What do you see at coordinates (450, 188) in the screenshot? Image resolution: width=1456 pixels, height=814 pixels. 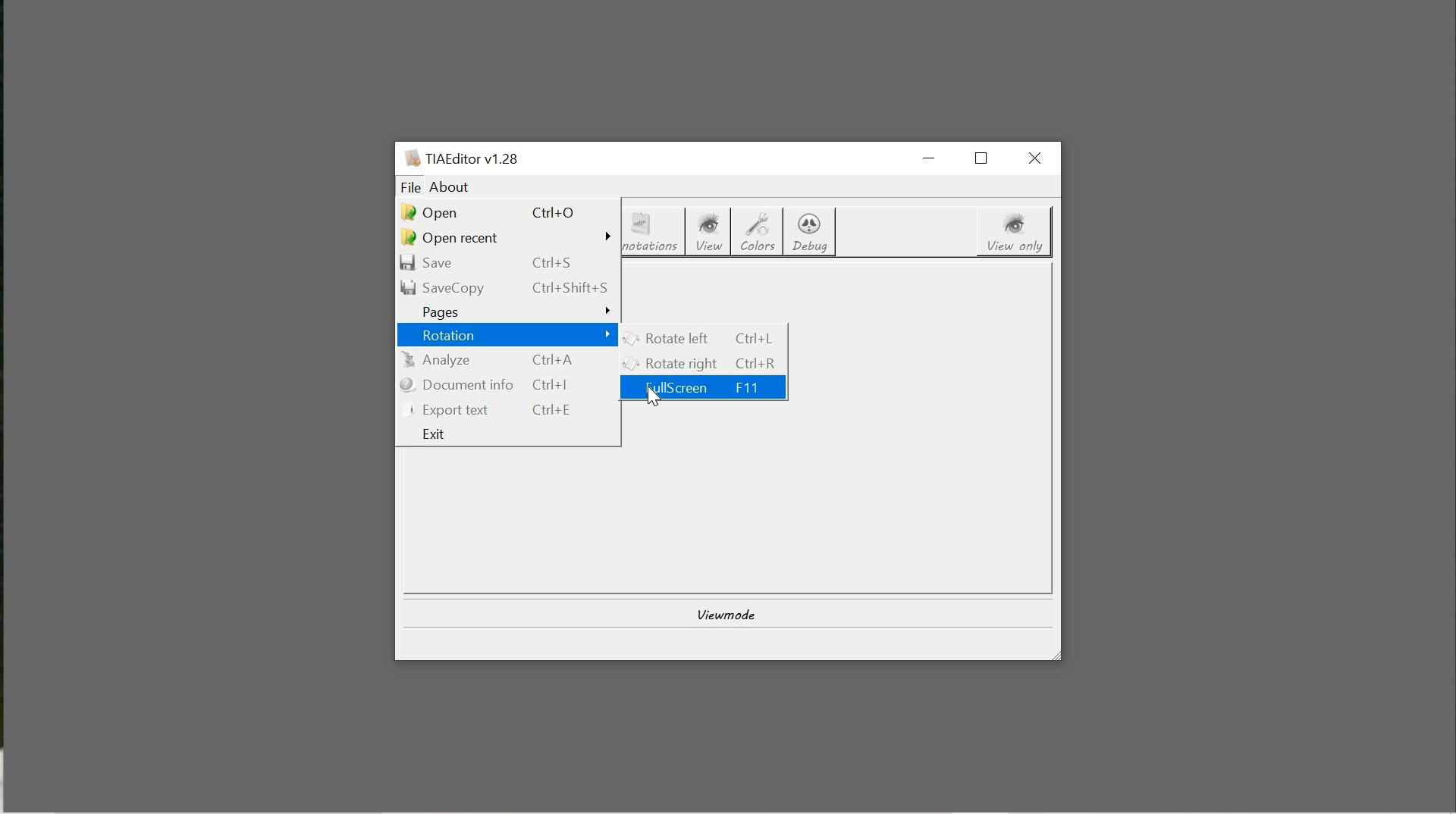 I see `about` at bounding box center [450, 188].